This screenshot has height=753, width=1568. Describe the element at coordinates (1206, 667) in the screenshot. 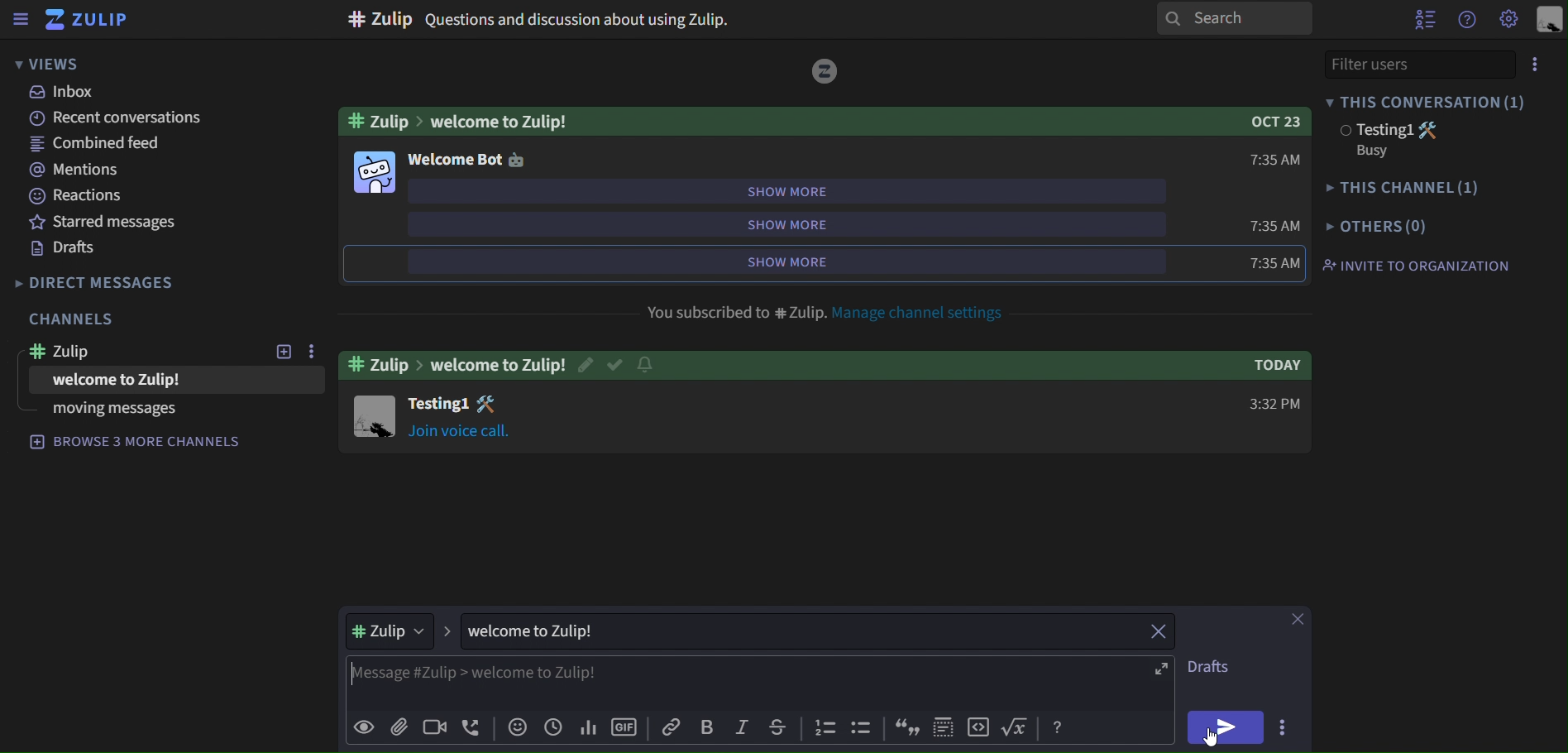

I see `drafts` at that location.